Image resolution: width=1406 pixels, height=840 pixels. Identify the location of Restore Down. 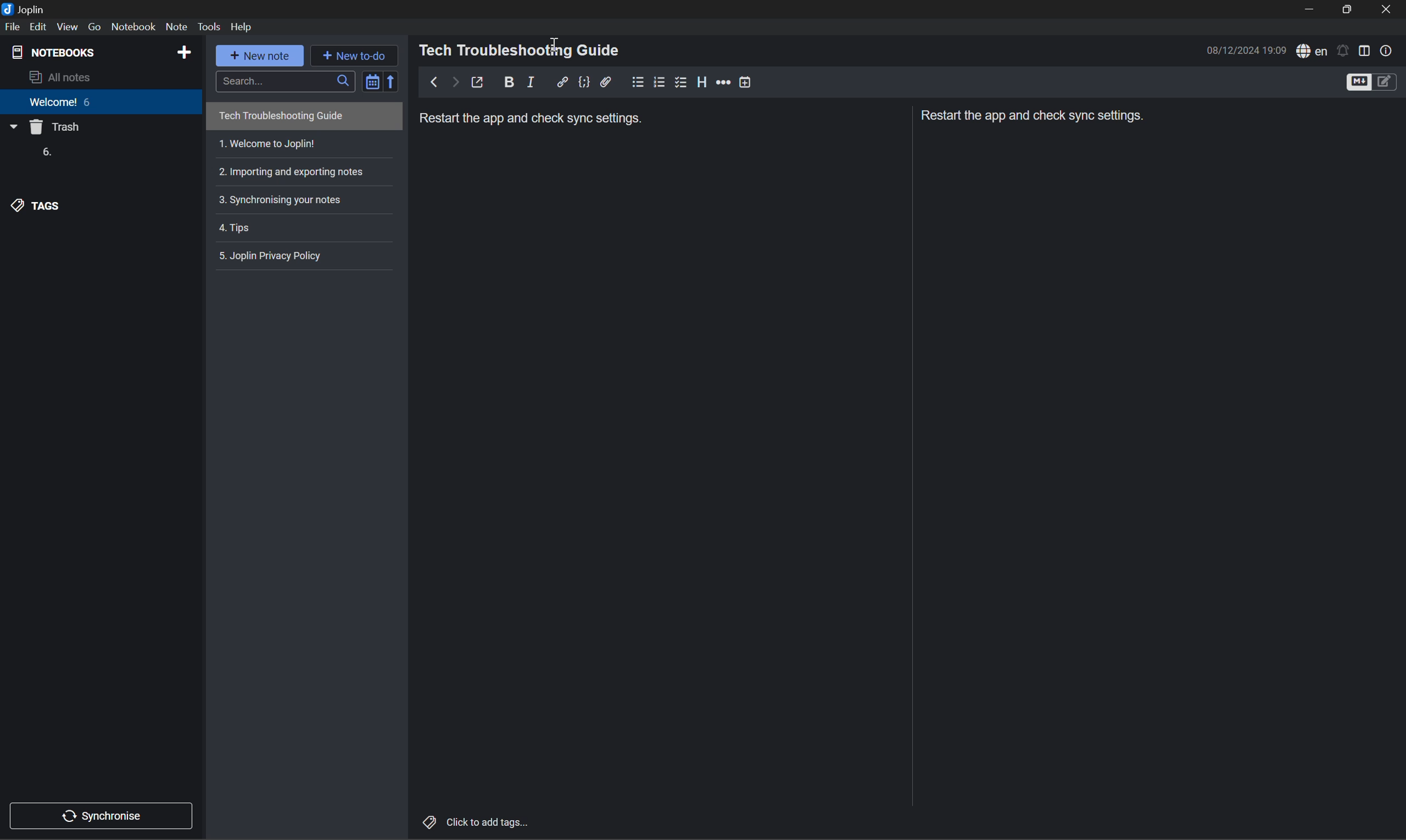
(1349, 10).